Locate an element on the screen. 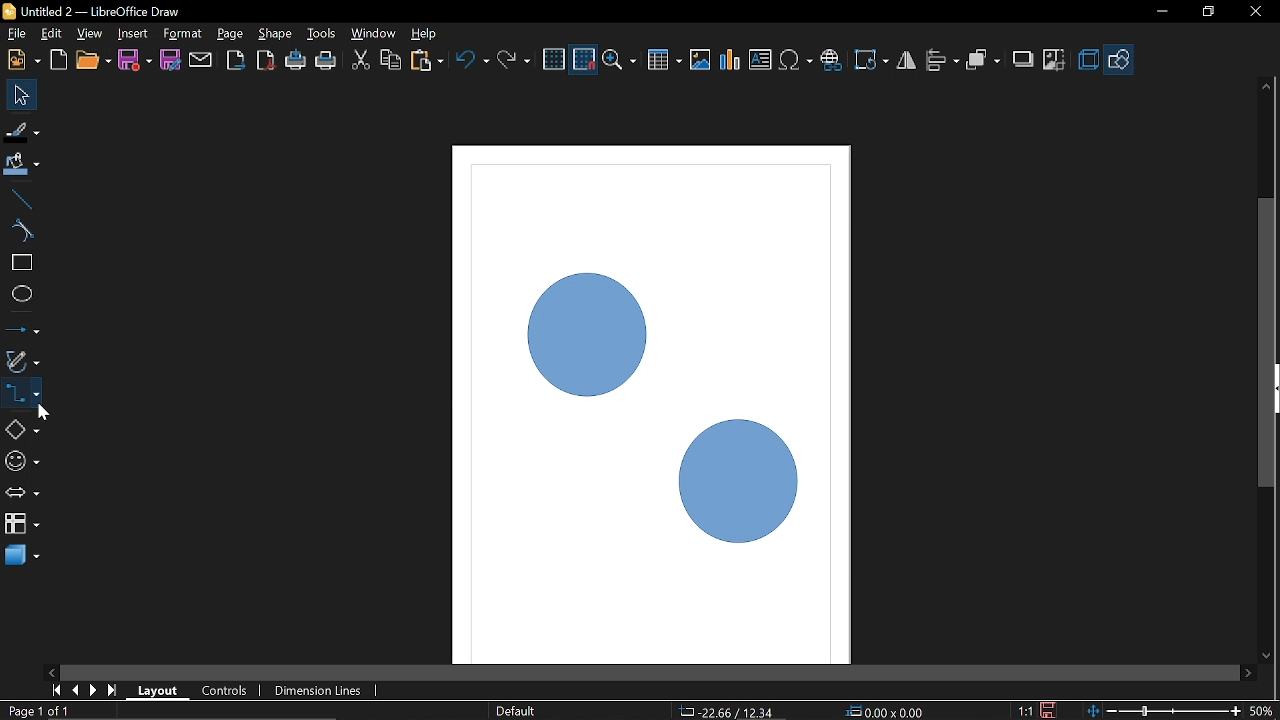 Image resolution: width=1280 pixels, height=720 pixels. Allign is located at coordinates (942, 62).